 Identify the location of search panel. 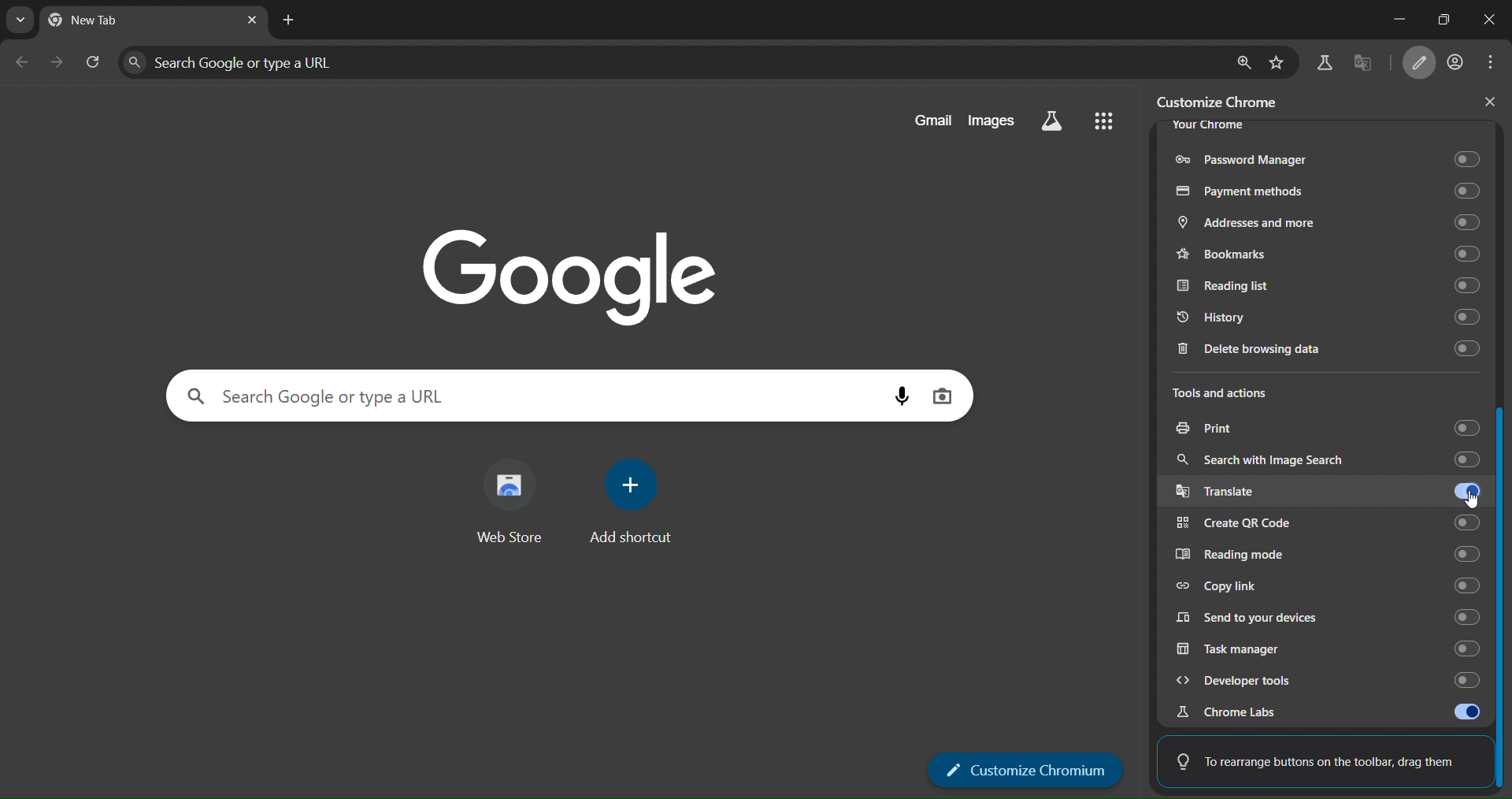
(524, 396).